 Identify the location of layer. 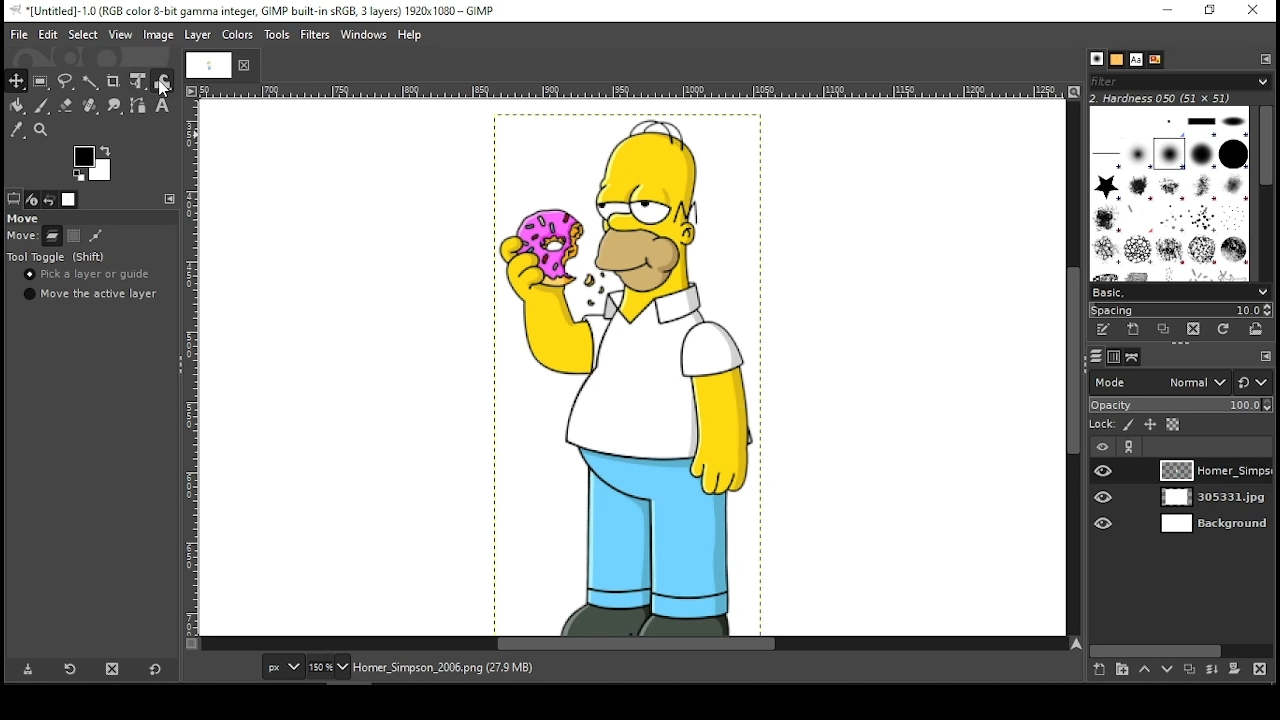
(197, 35).